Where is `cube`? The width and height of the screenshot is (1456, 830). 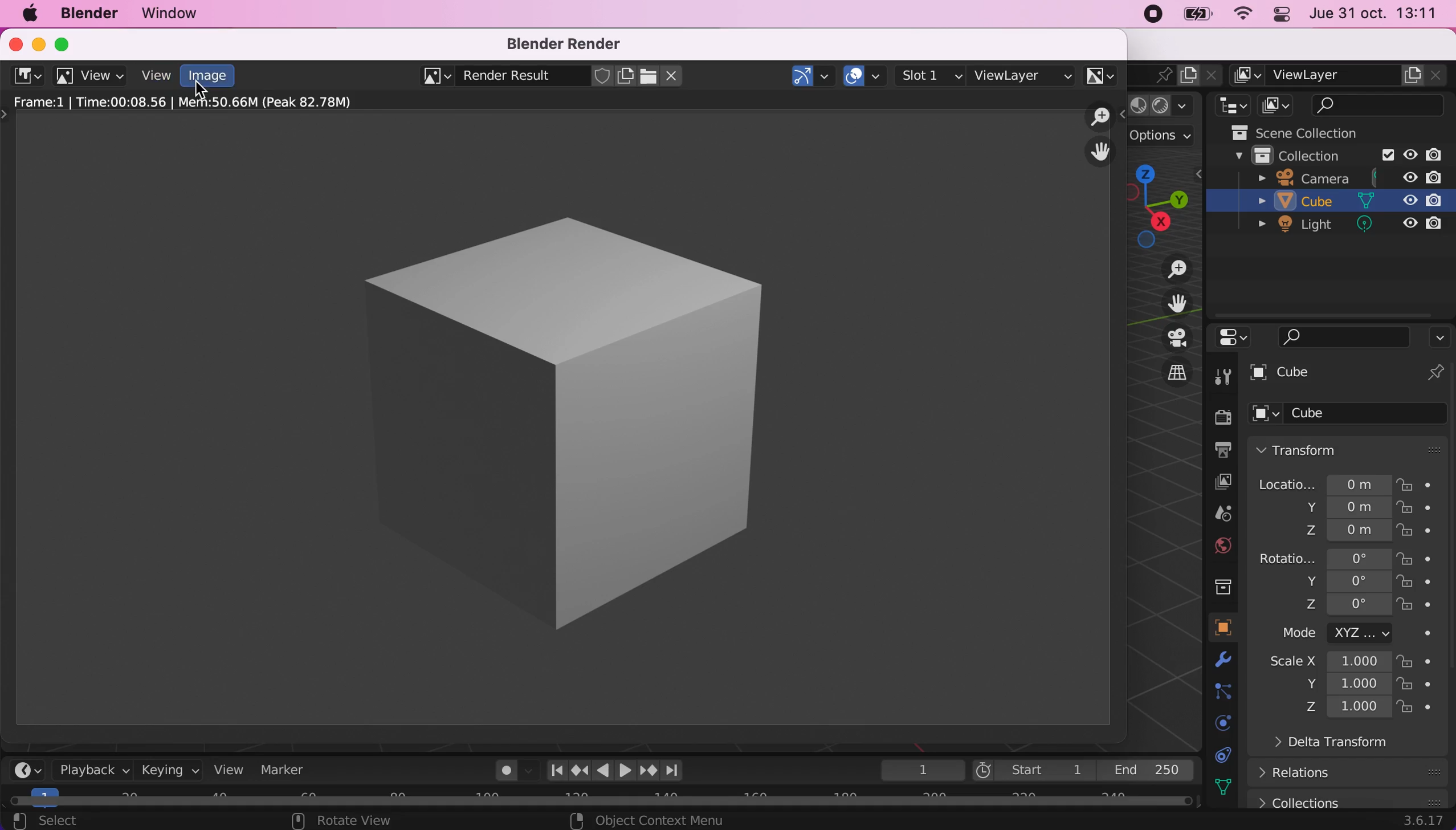
cube is located at coordinates (1351, 374).